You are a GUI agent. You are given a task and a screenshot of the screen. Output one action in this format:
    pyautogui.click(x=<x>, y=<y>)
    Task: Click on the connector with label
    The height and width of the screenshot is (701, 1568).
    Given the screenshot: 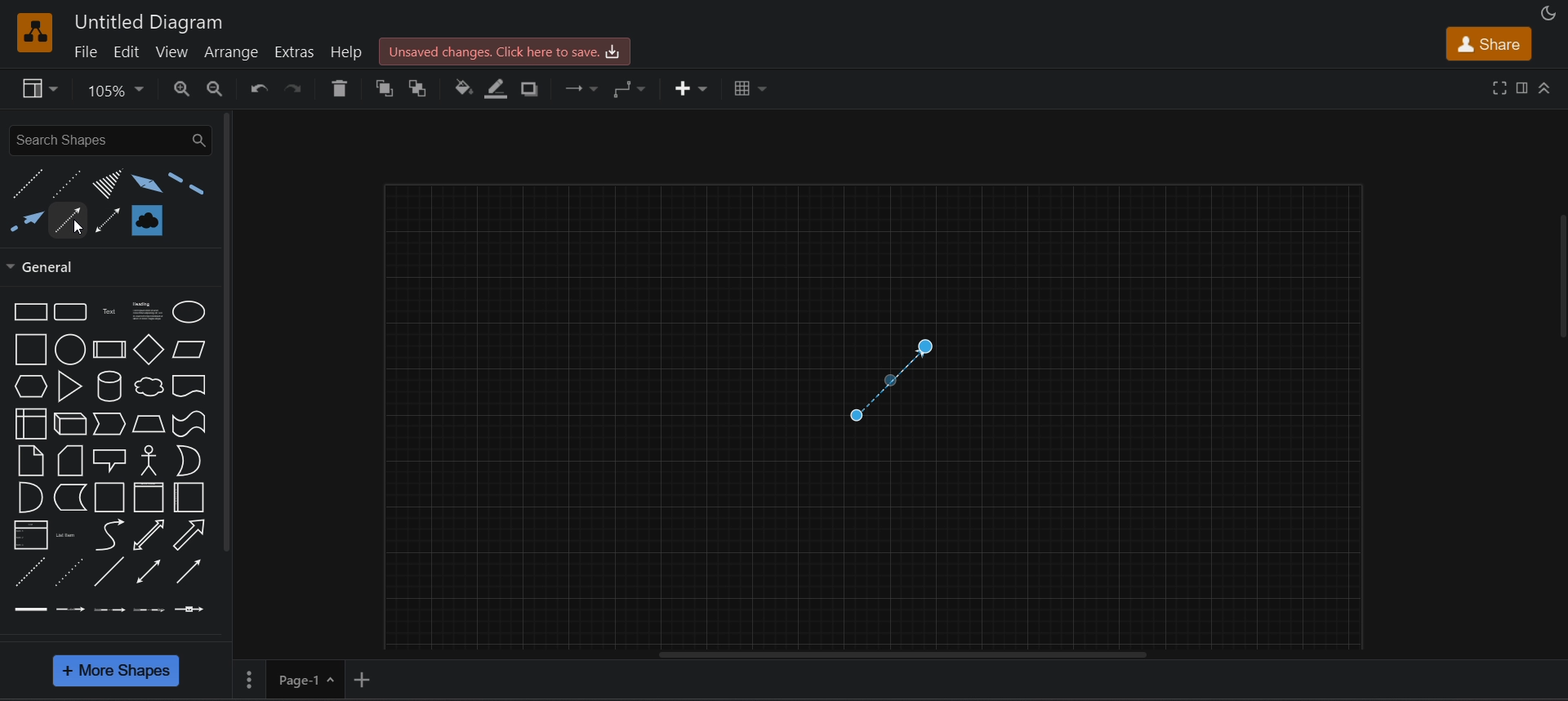 What is the action you would take?
    pyautogui.click(x=67, y=609)
    